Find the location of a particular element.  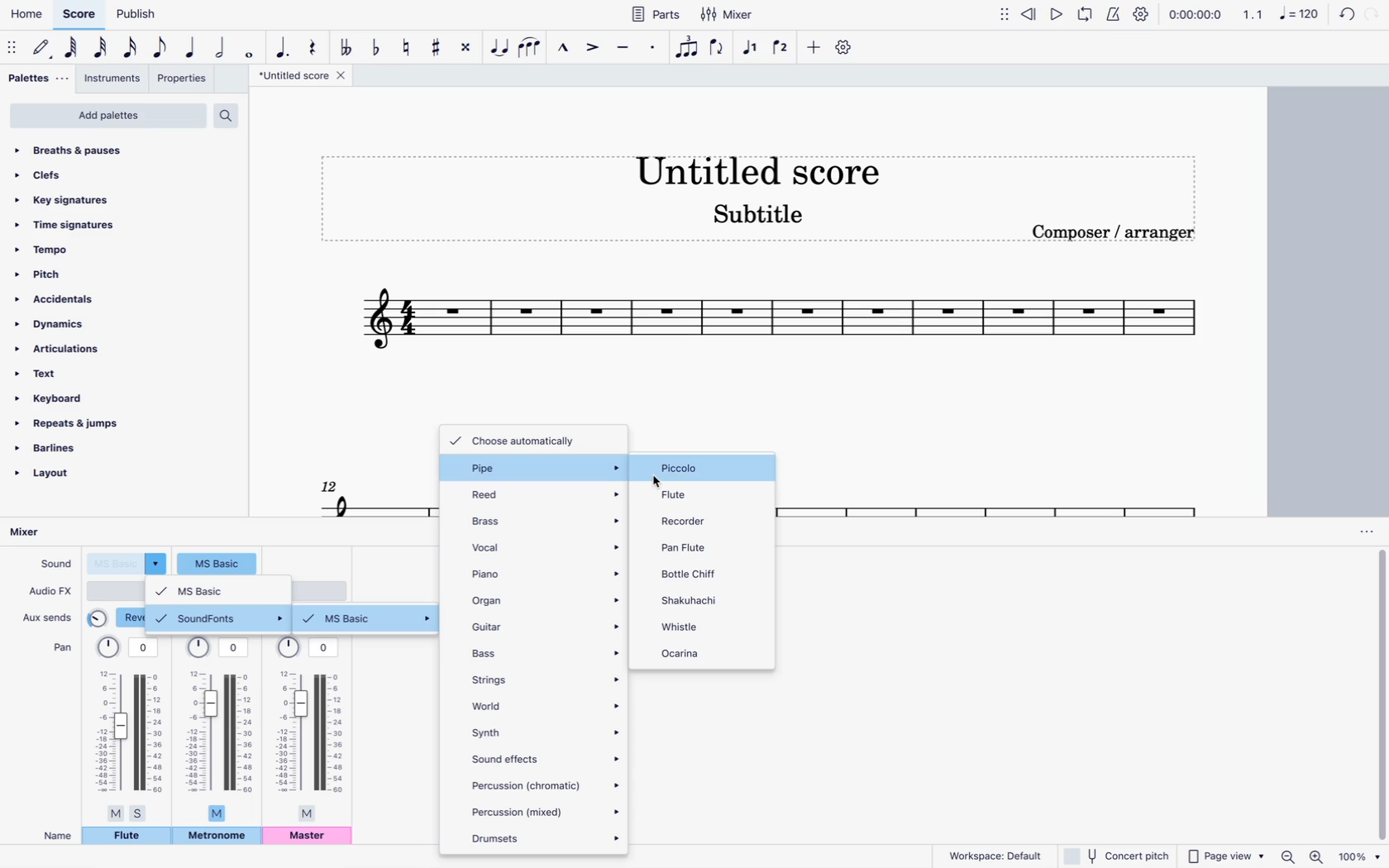

ms basic is located at coordinates (370, 619).